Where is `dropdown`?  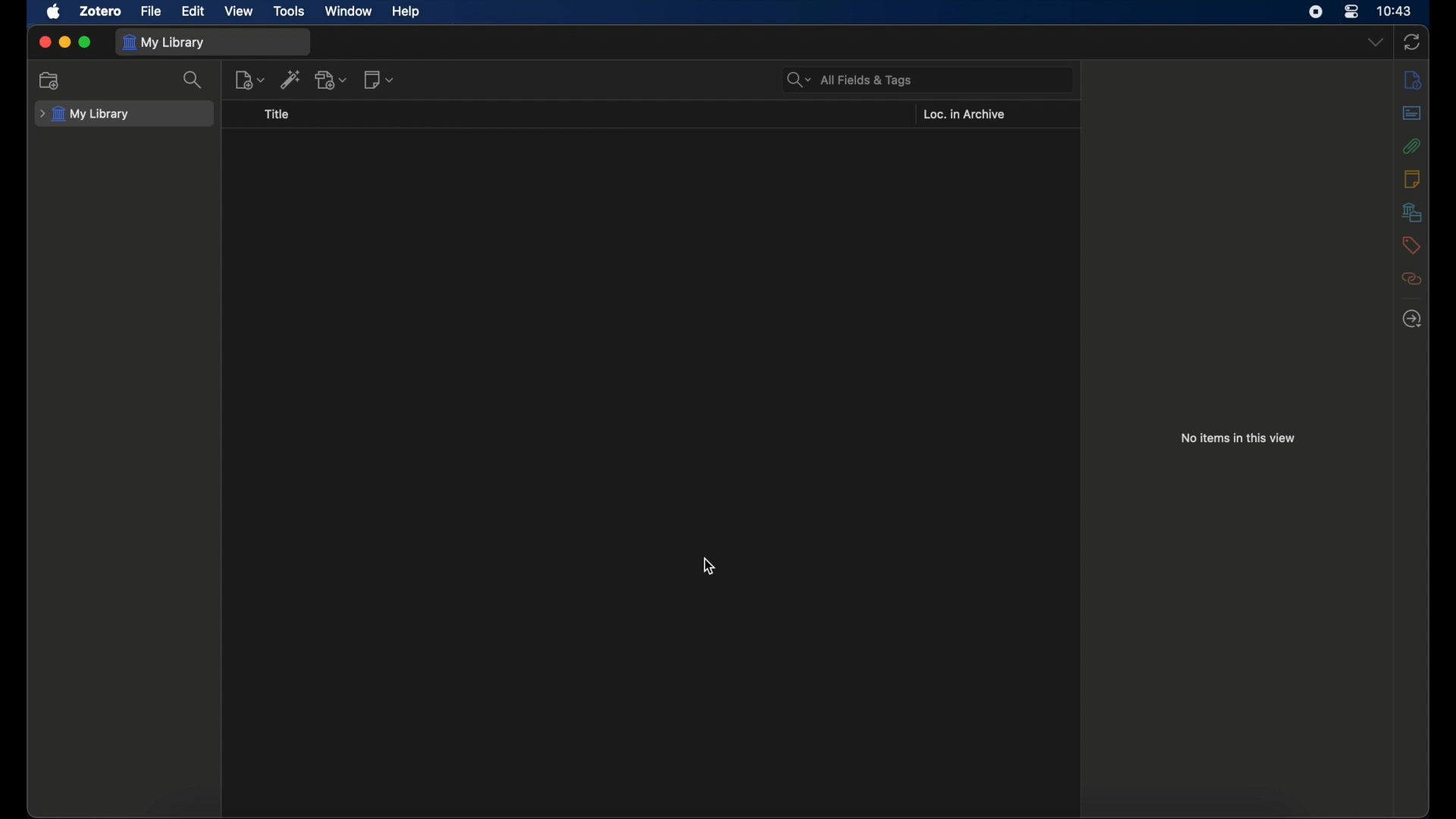 dropdown is located at coordinates (1376, 42).